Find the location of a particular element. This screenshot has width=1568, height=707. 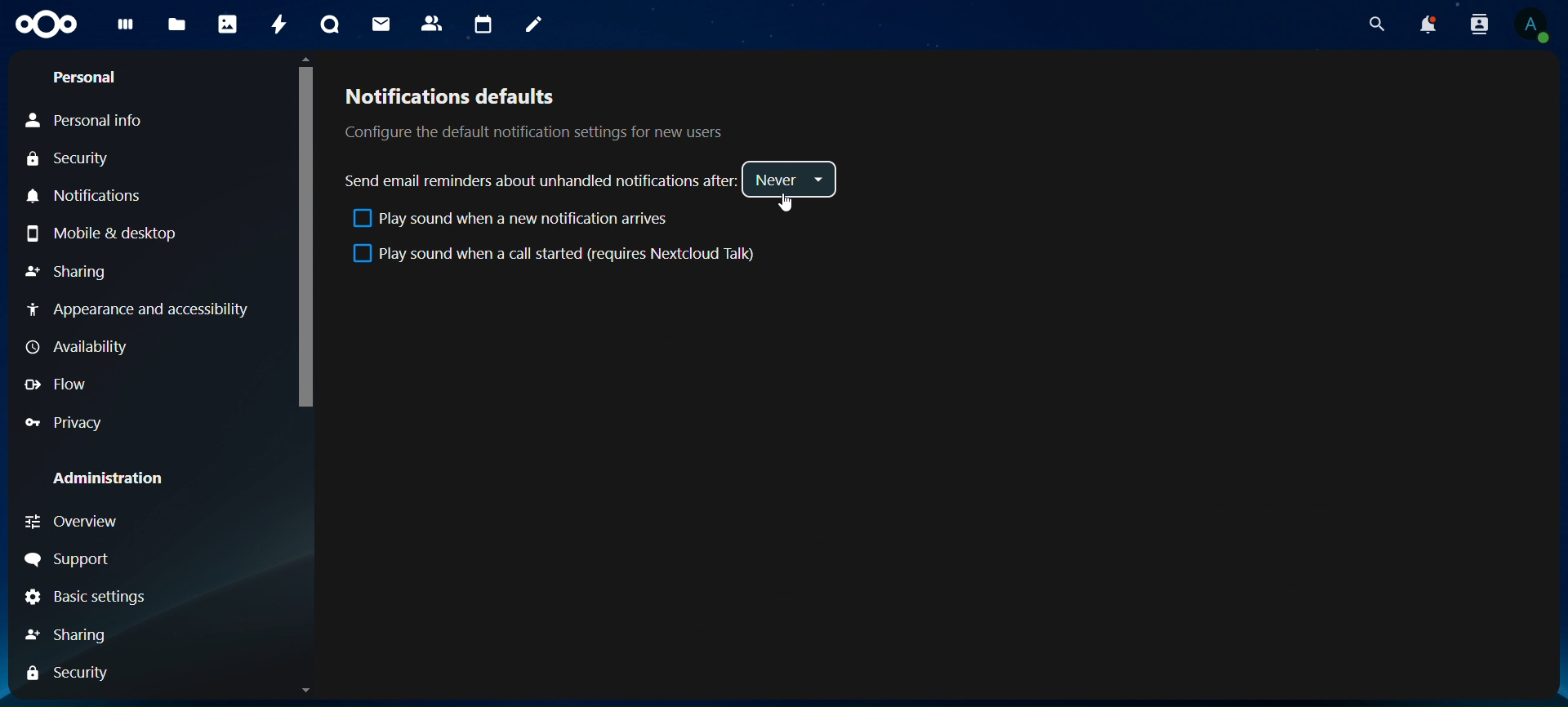

Personal is located at coordinates (87, 78).